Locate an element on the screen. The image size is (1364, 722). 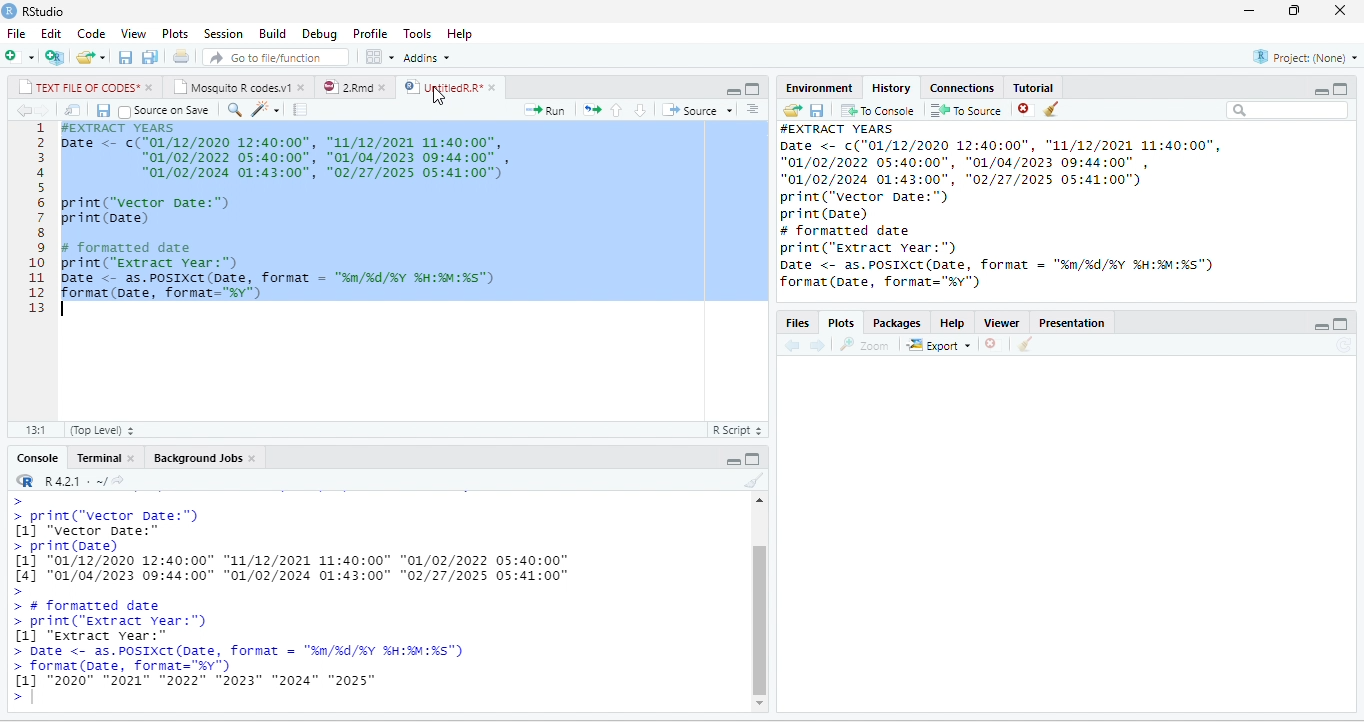
File is located at coordinates (16, 34).